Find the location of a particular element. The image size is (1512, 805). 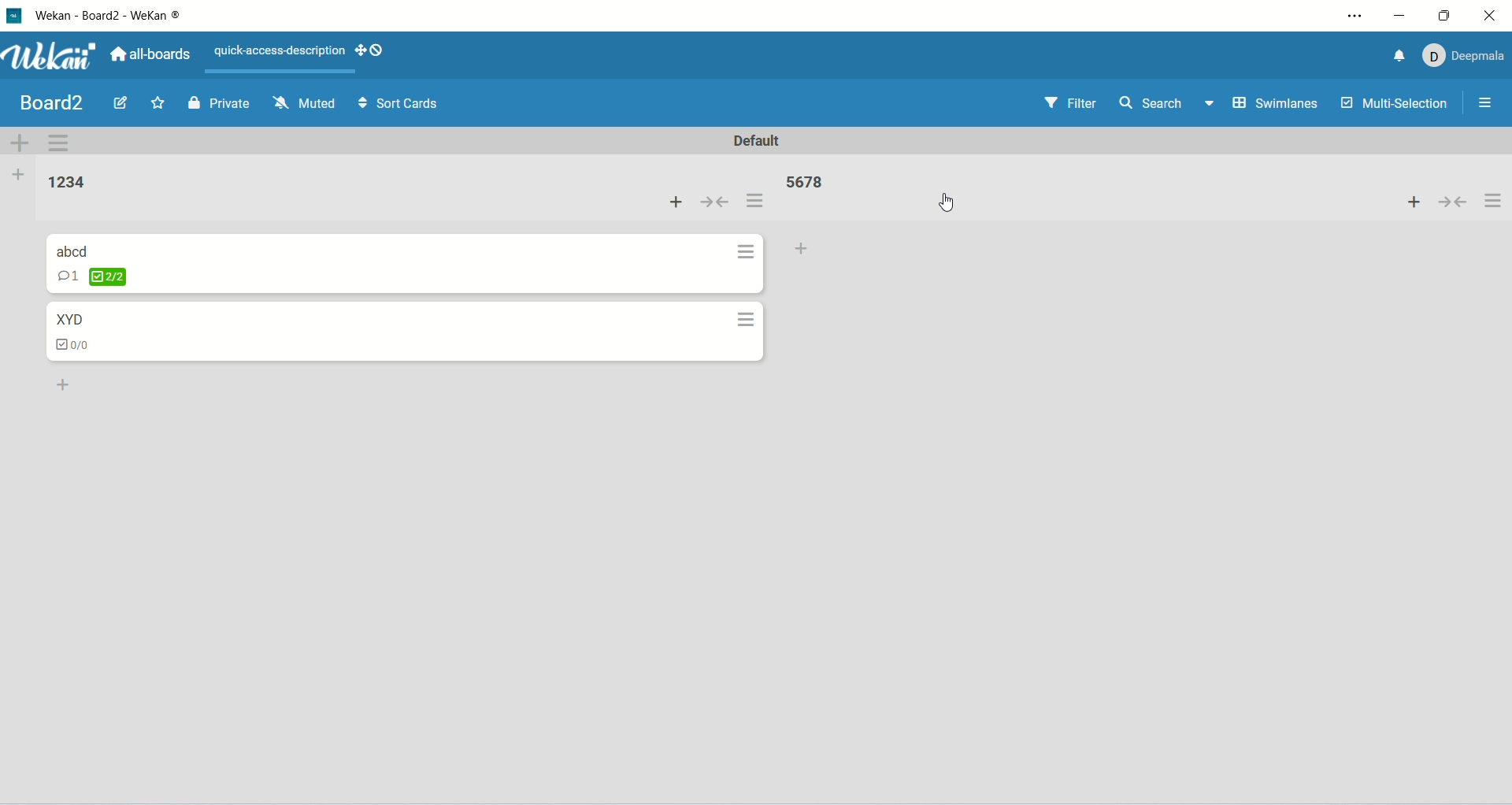

private is located at coordinates (216, 106).